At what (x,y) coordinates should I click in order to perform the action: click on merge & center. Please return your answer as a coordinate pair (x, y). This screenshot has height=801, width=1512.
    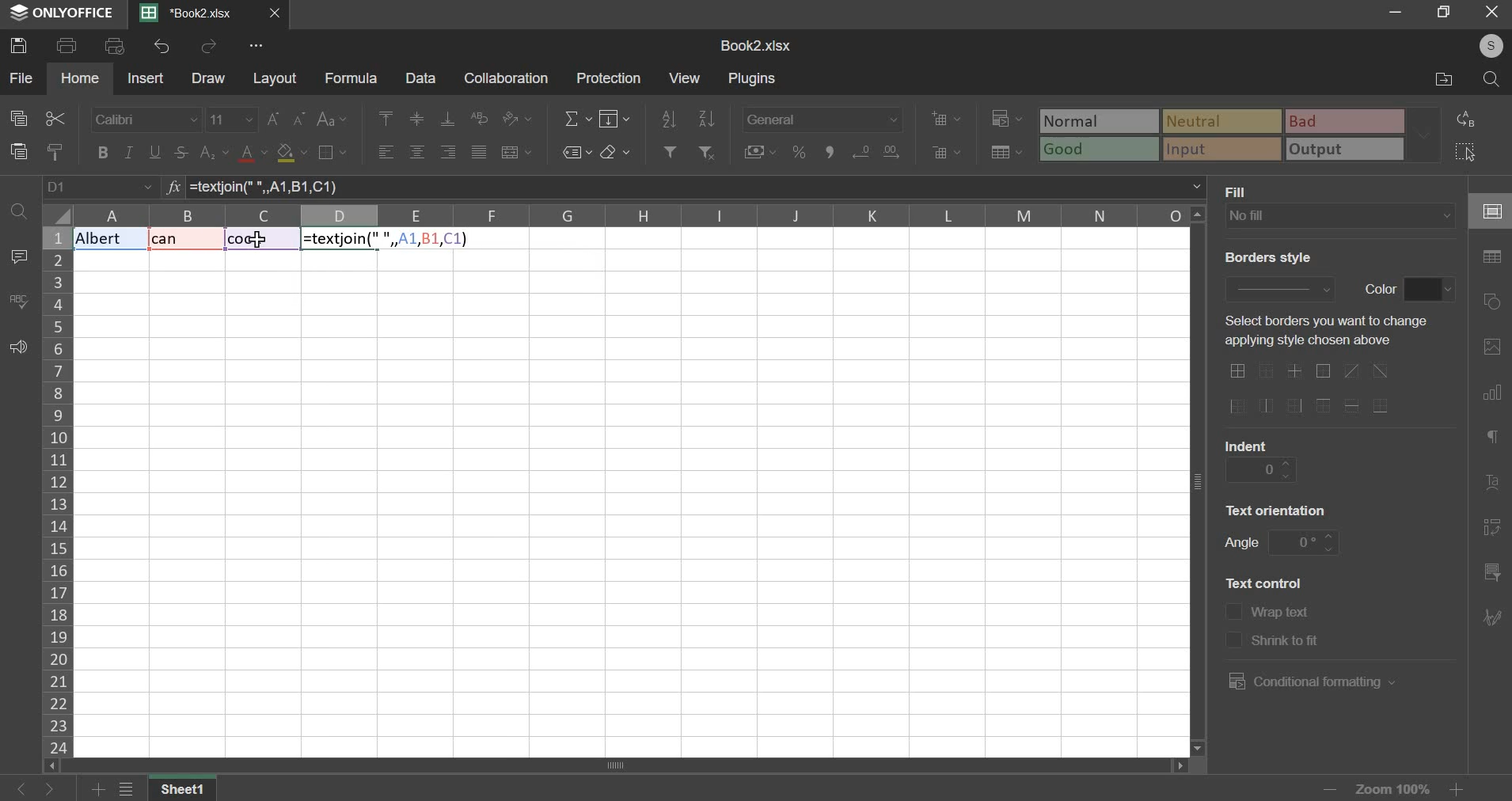
    Looking at the image, I should click on (517, 152).